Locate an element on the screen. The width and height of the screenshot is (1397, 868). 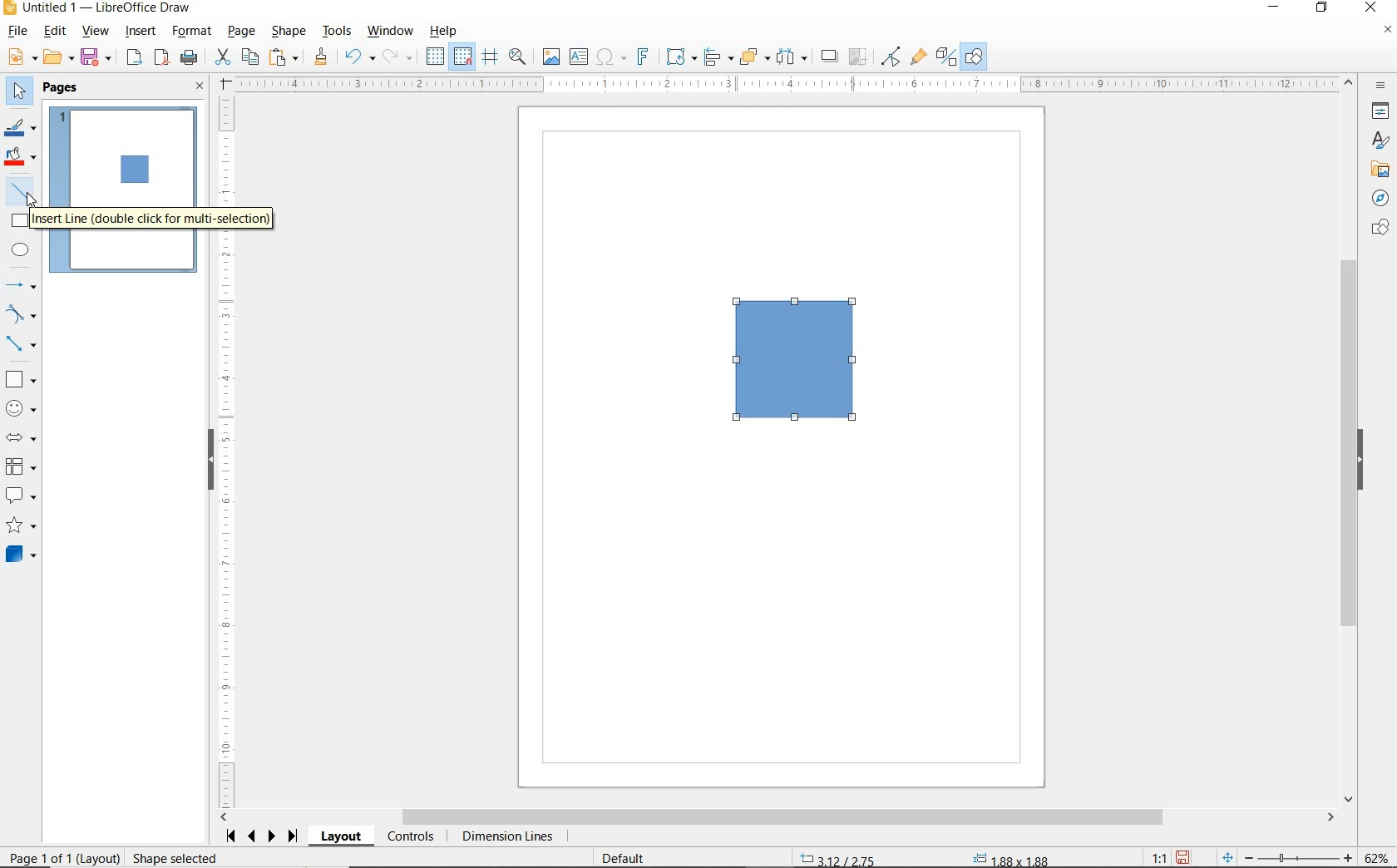
CUT is located at coordinates (222, 57).